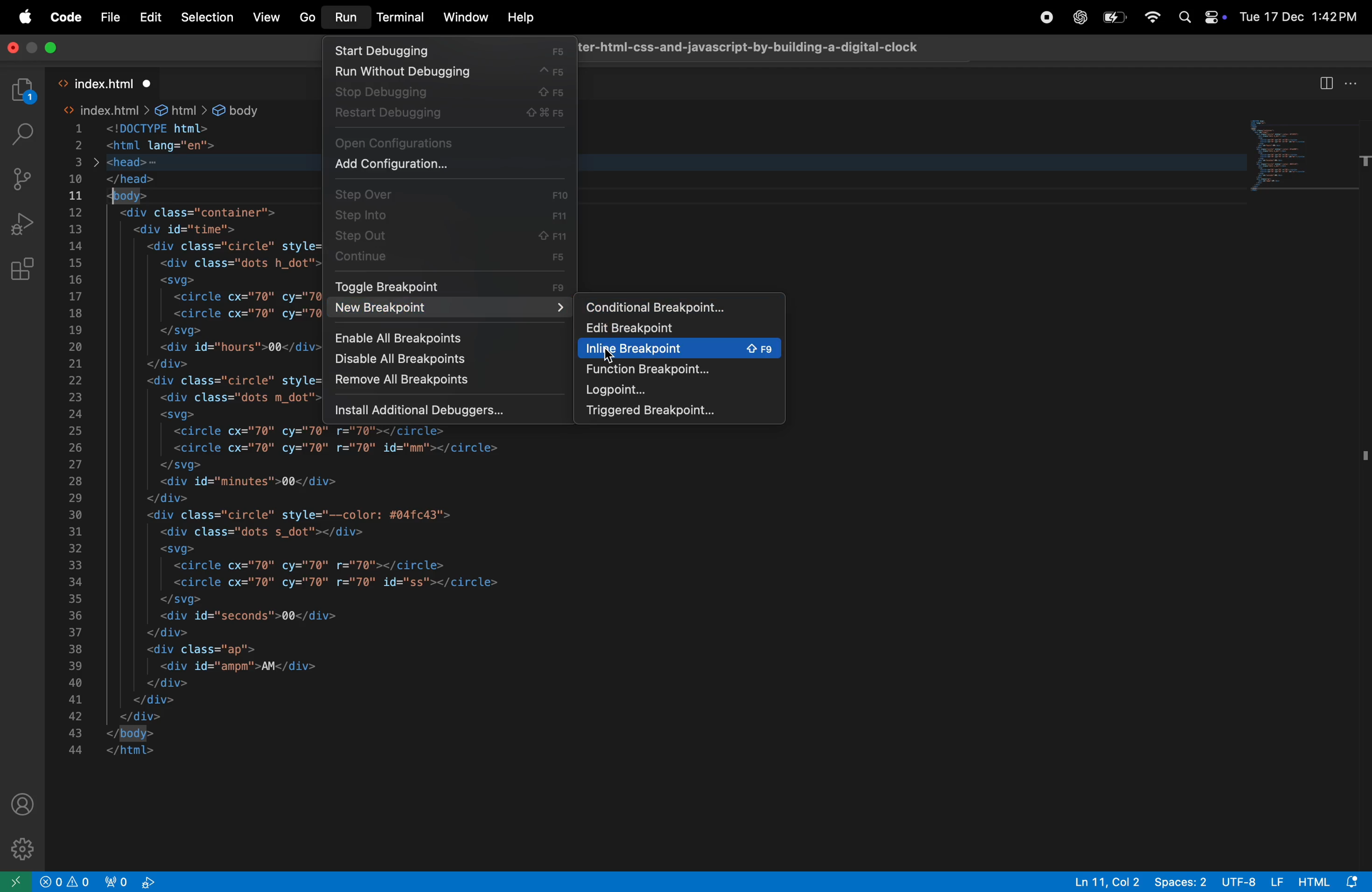 This screenshot has height=892, width=1372. Describe the element at coordinates (448, 50) in the screenshot. I see `start debugging` at that location.